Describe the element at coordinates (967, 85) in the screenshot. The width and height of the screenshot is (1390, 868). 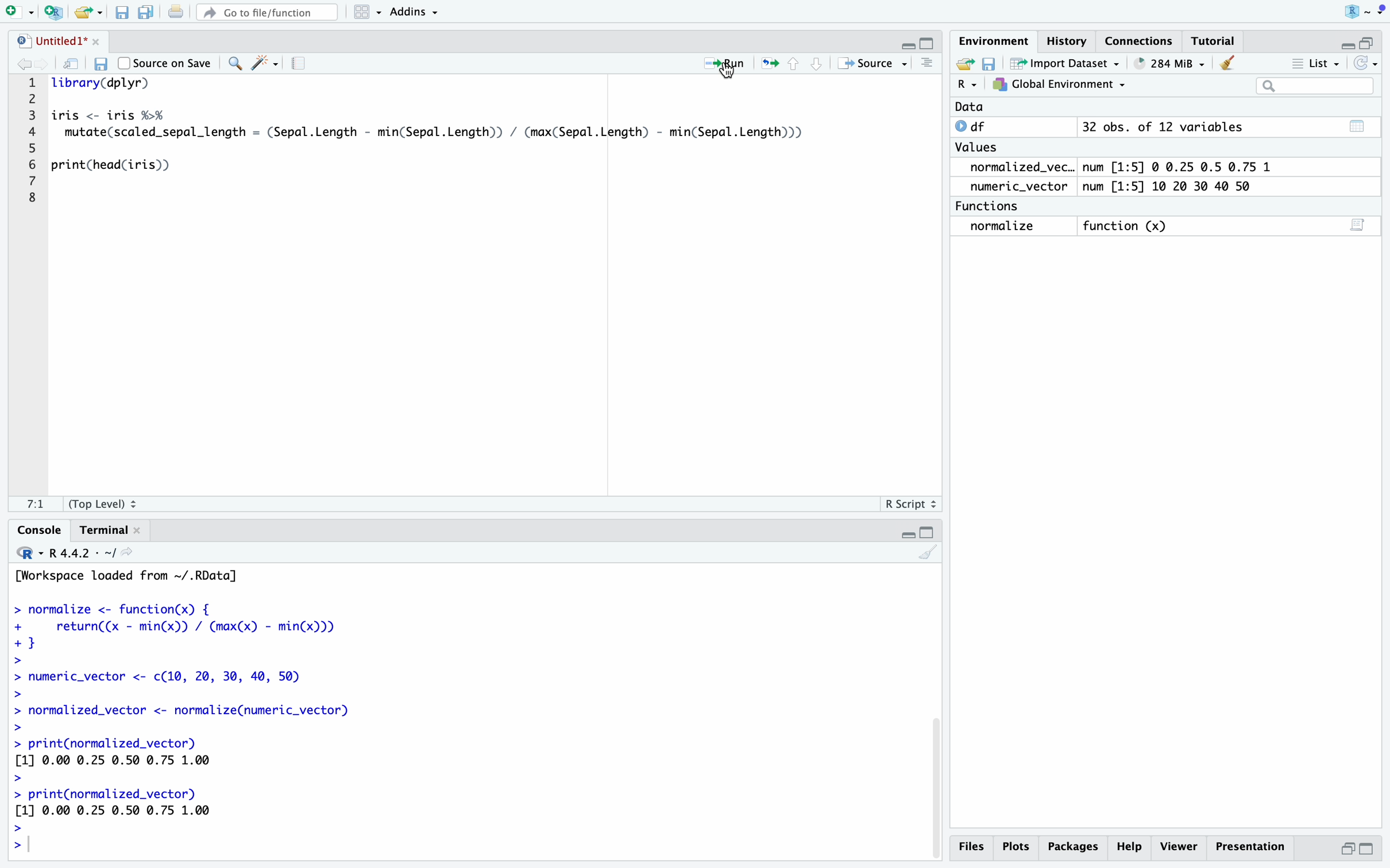
I see `R` at that location.